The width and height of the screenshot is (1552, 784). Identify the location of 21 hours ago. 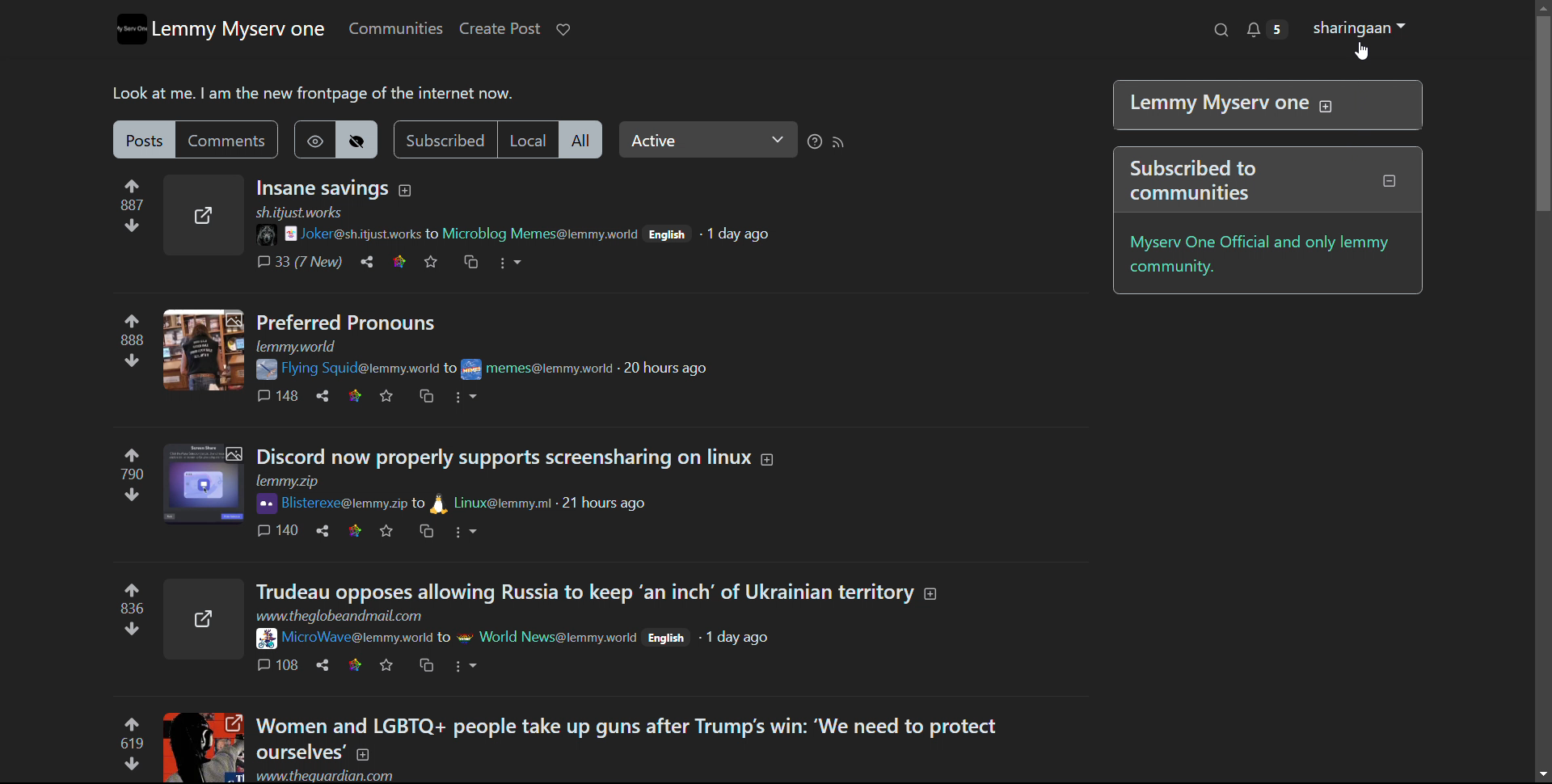
(604, 505).